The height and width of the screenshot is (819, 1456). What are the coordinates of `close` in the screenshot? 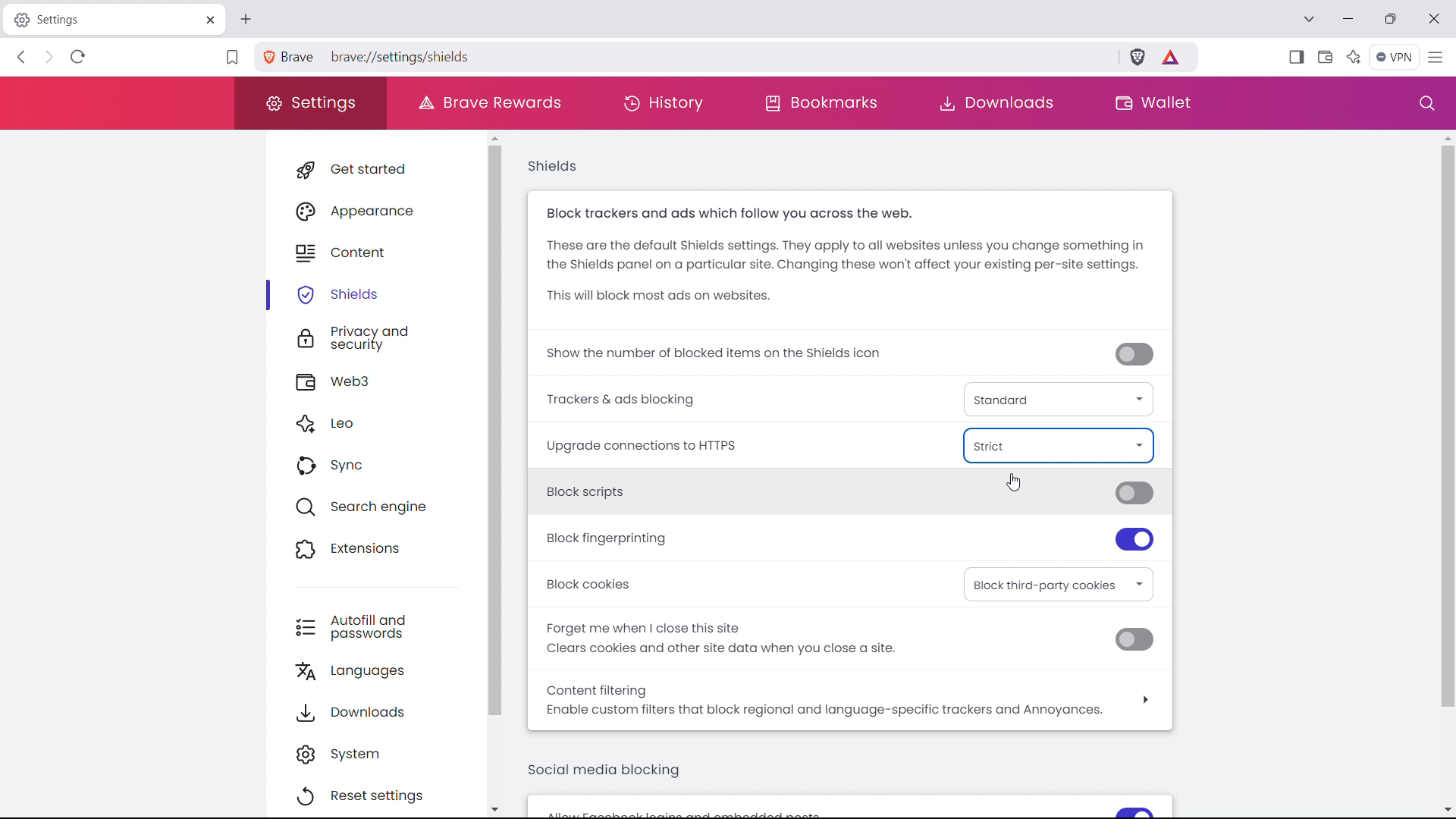 It's located at (1432, 18).